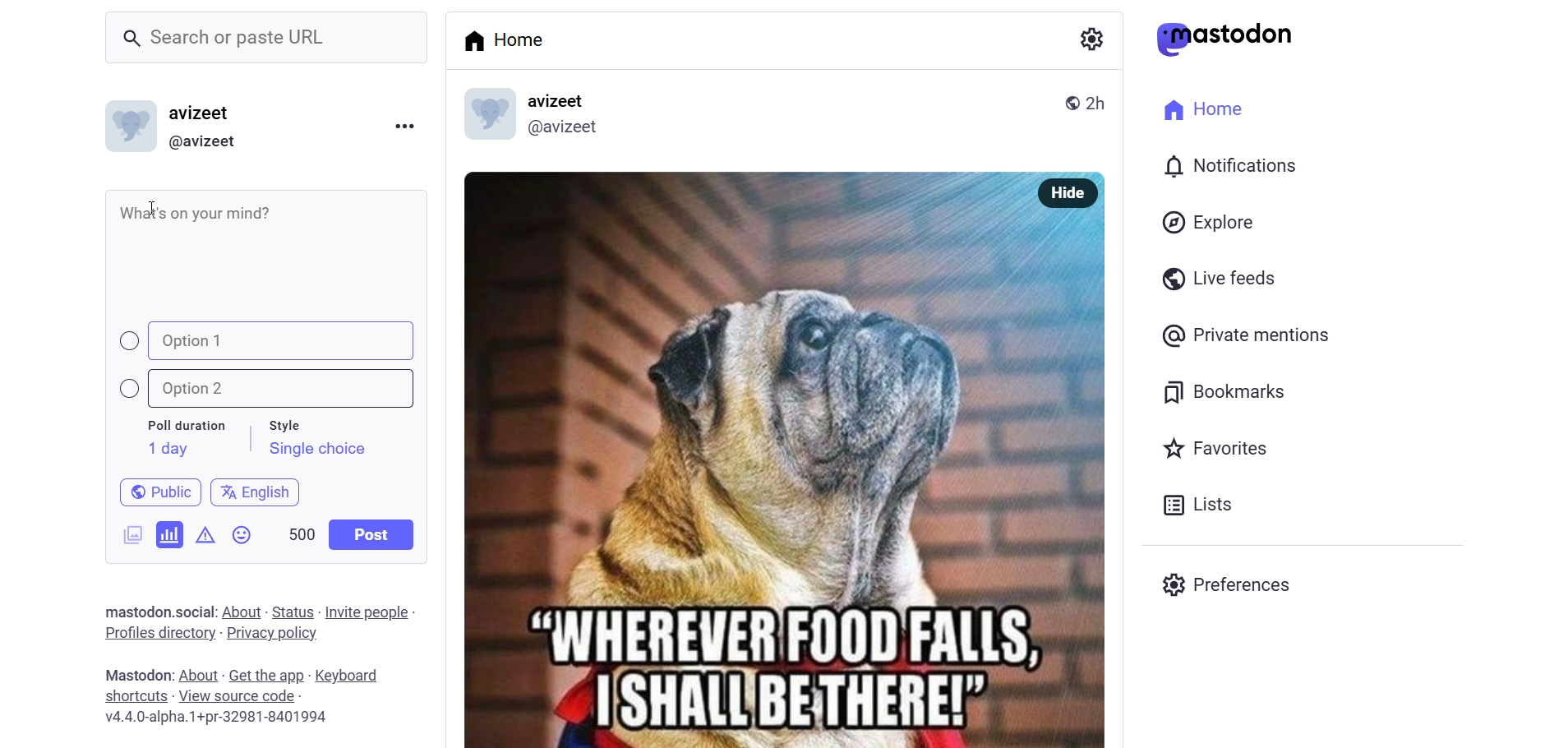 The height and width of the screenshot is (748, 1568). What do you see at coordinates (1247, 335) in the screenshot?
I see `private mention` at bounding box center [1247, 335].